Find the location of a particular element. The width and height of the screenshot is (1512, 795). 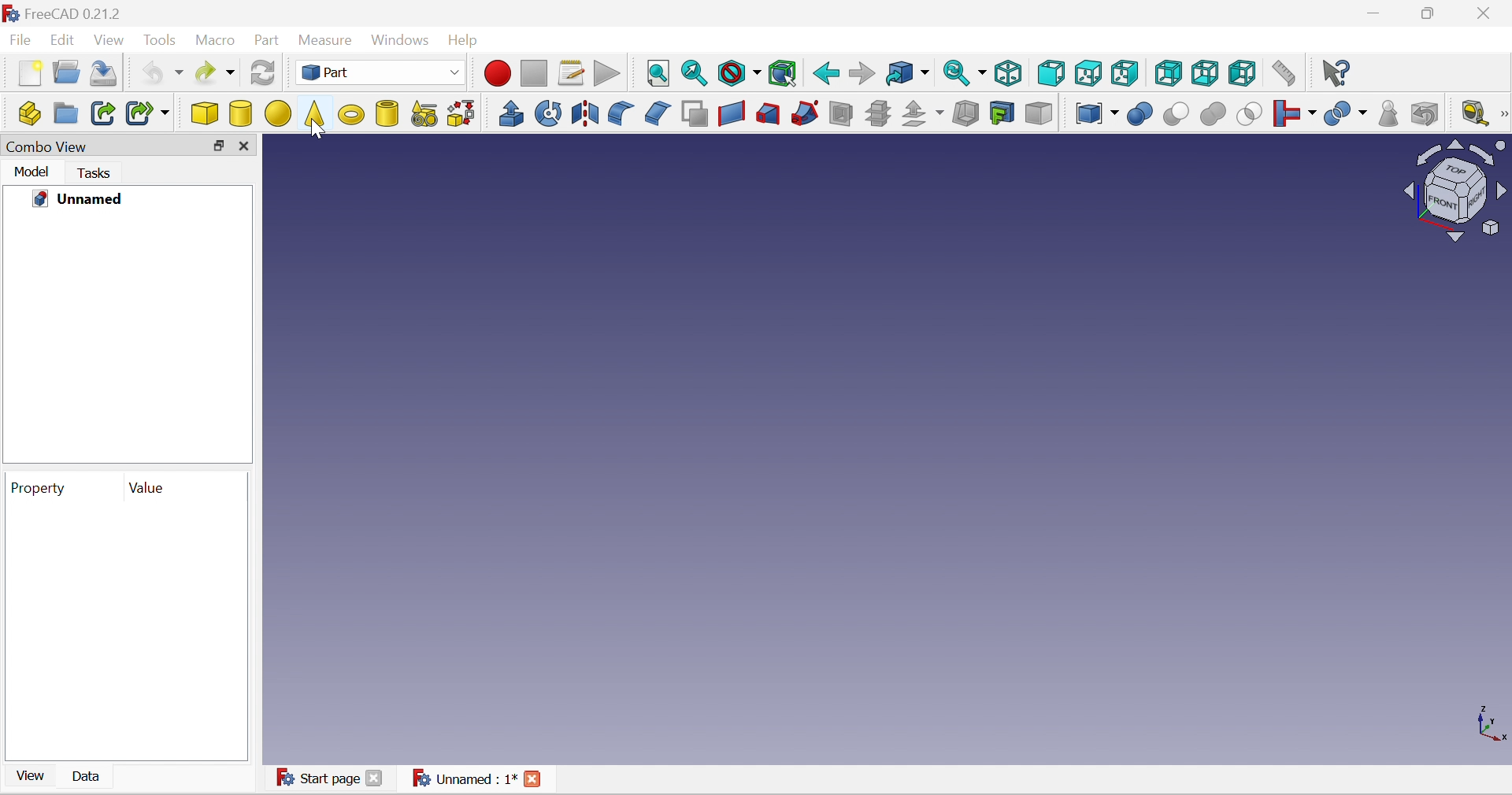

Union is located at coordinates (1214, 115).